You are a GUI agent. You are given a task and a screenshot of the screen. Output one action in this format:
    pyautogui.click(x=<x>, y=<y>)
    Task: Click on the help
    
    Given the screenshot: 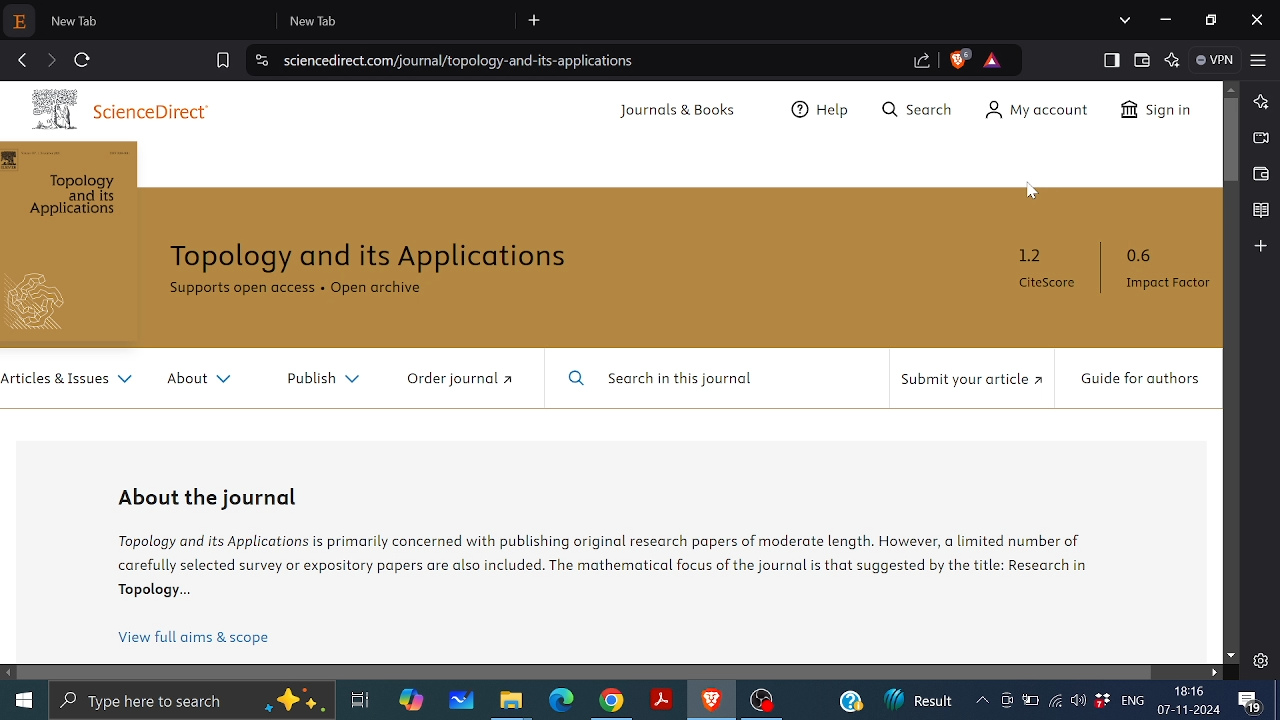 What is the action you would take?
    pyautogui.click(x=848, y=701)
    